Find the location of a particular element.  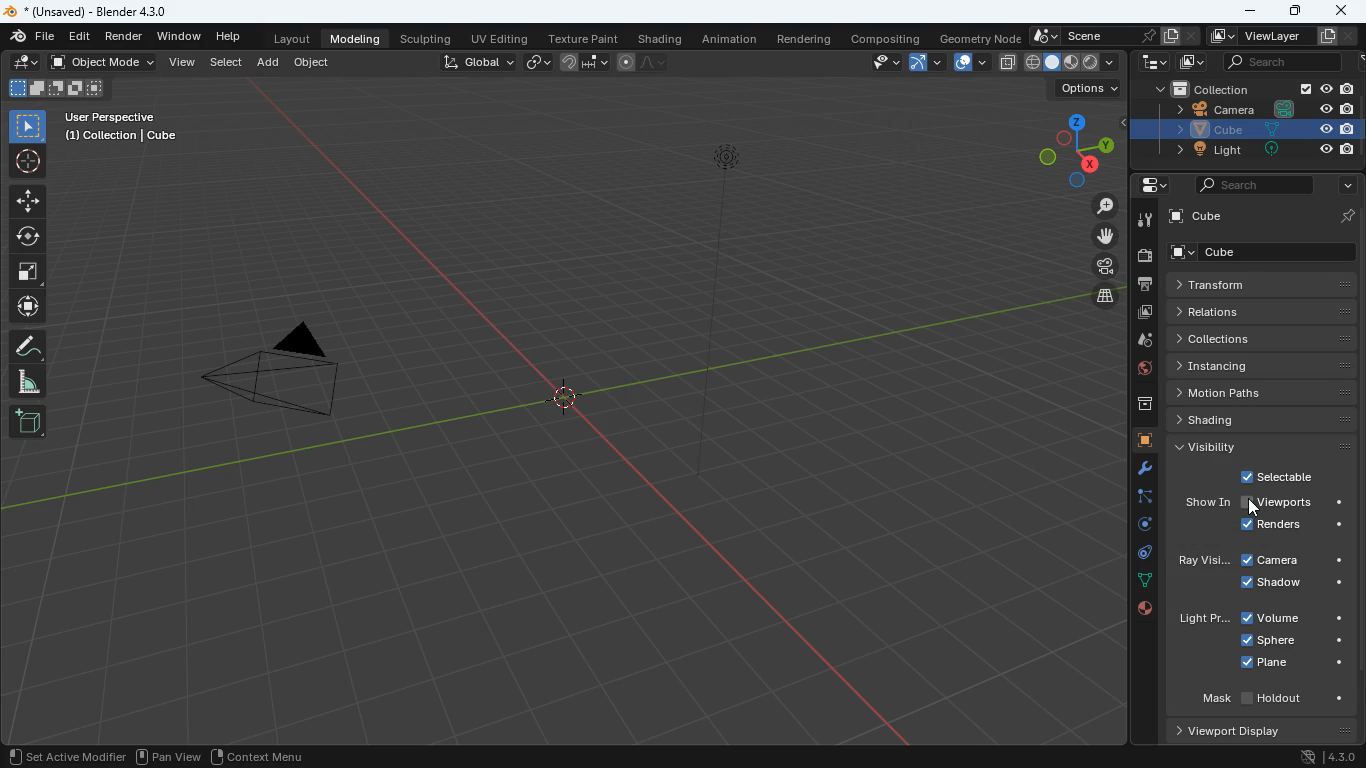

cube is located at coordinates (1242, 130).